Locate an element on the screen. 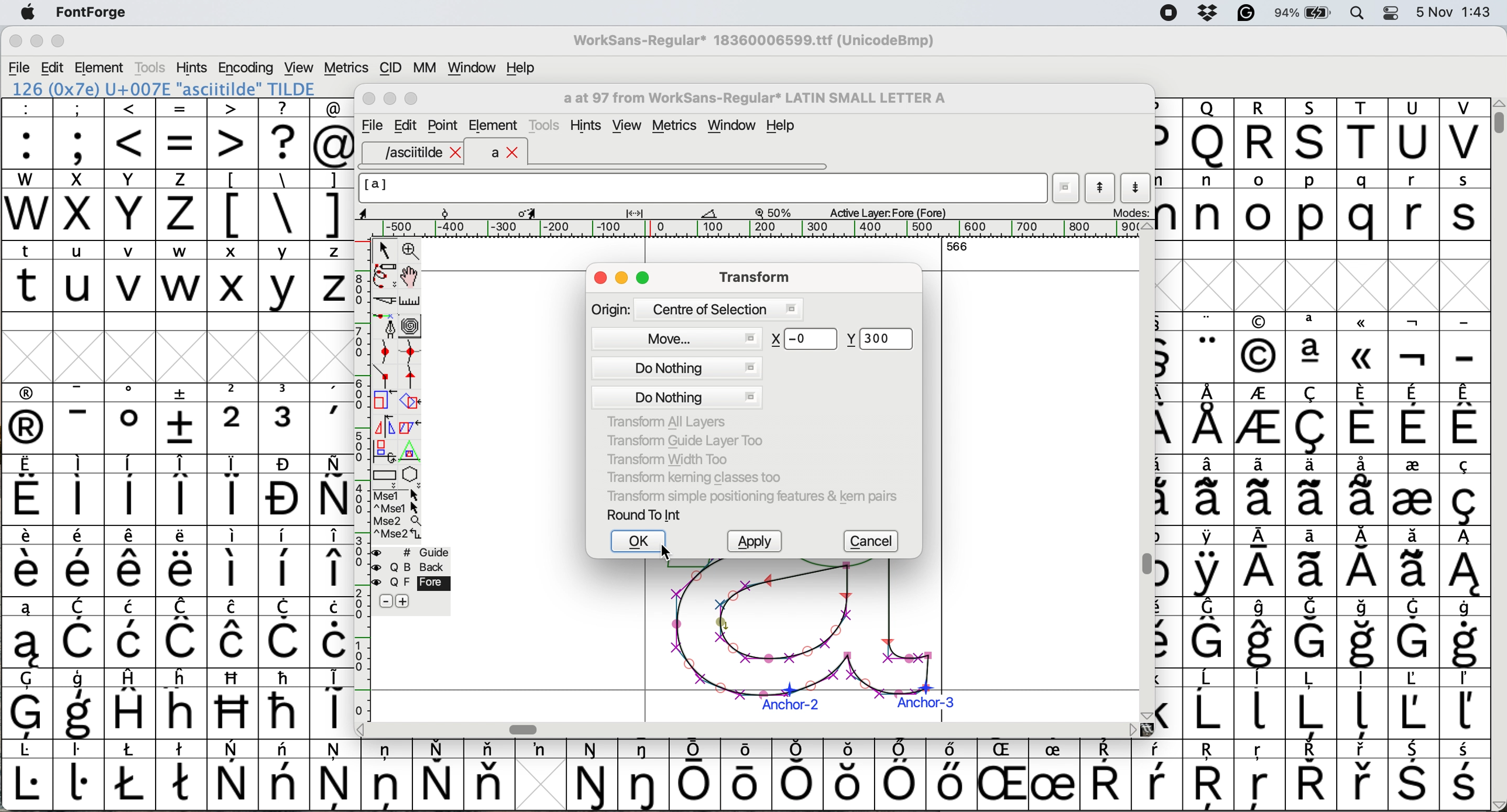 The height and width of the screenshot is (812, 1507). < is located at coordinates (130, 133).